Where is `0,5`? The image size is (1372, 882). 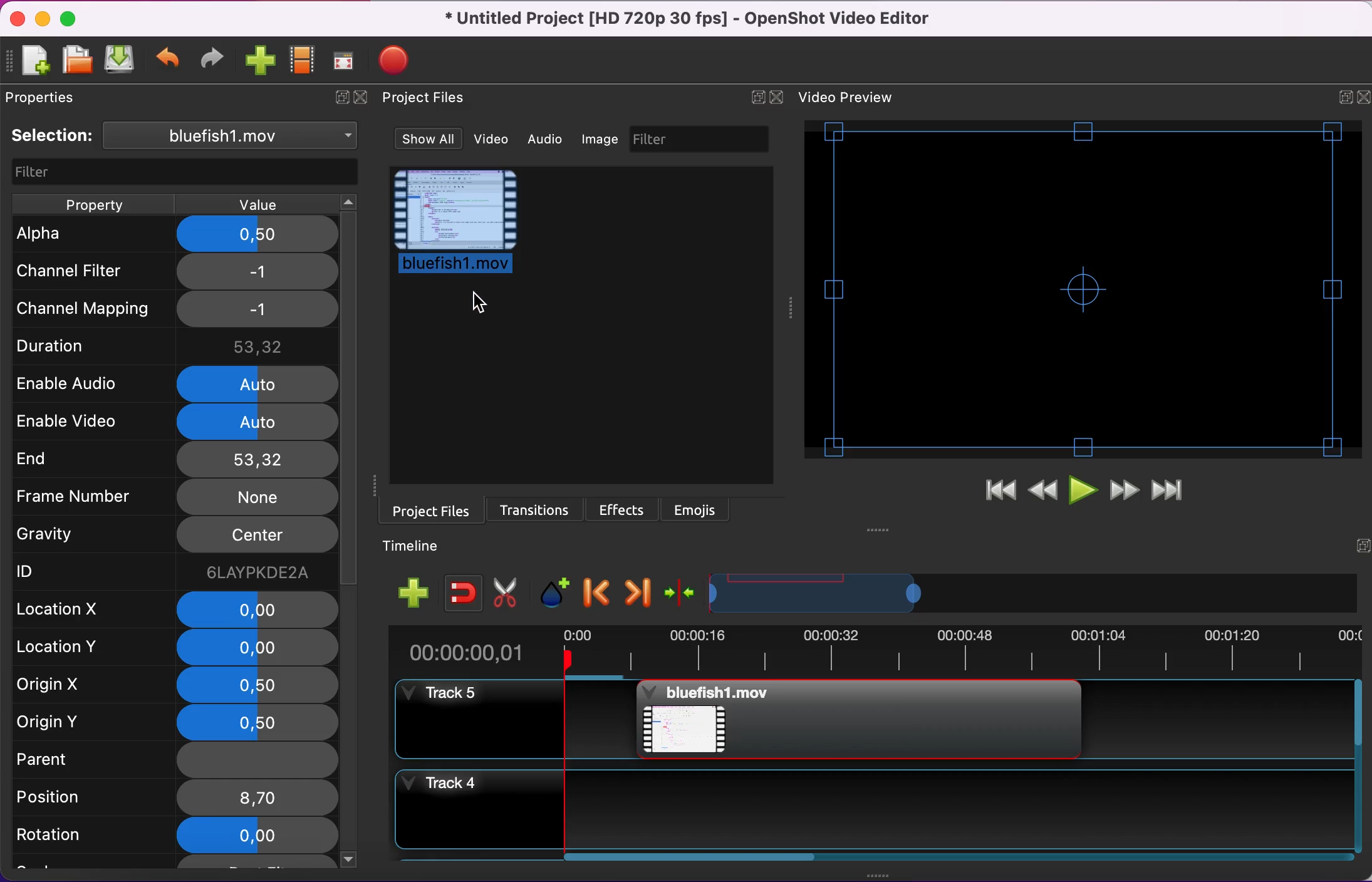 0,5 is located at coordinates (252, 685).